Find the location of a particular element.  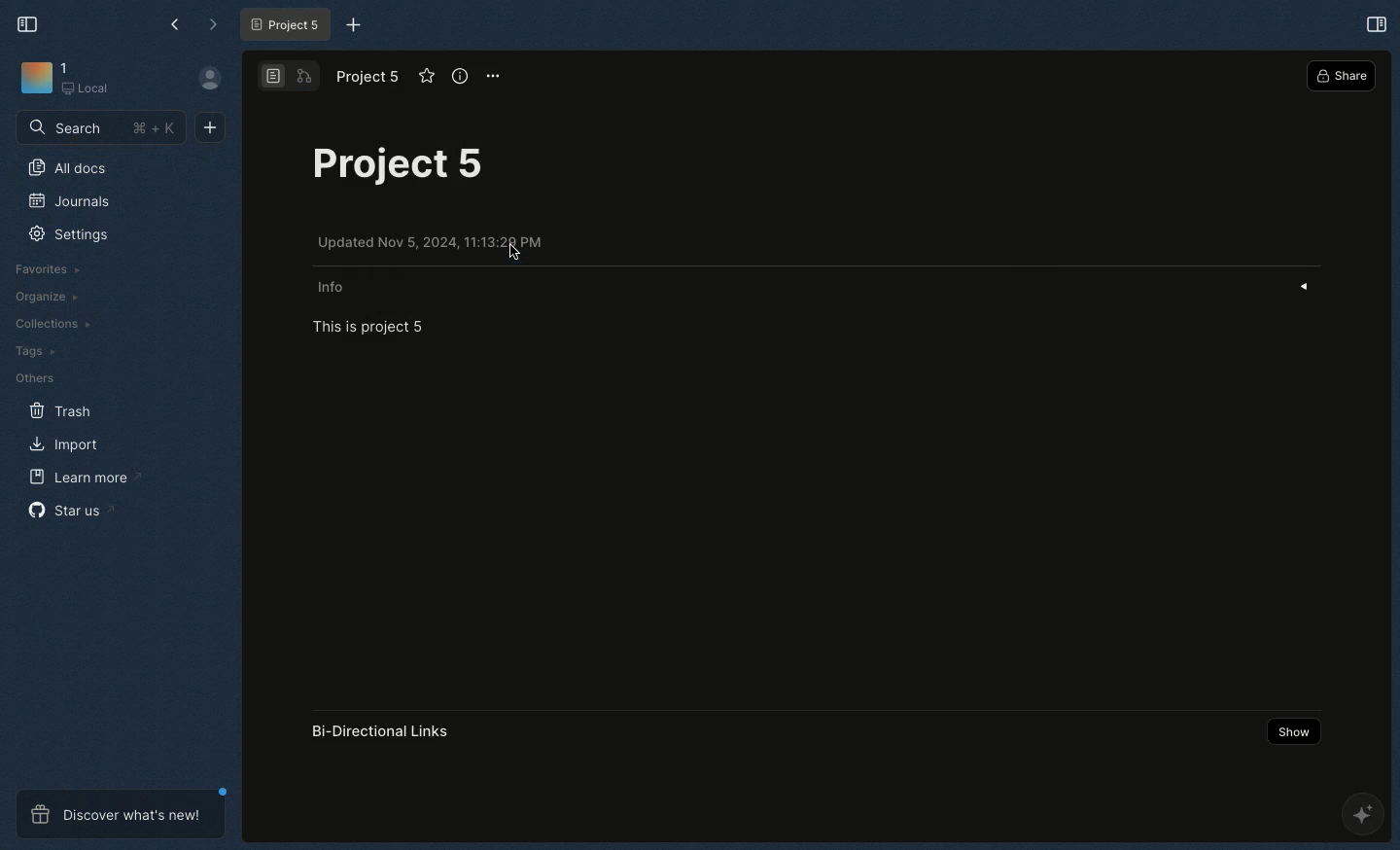

Switch view is located at coordinates (288, 78).